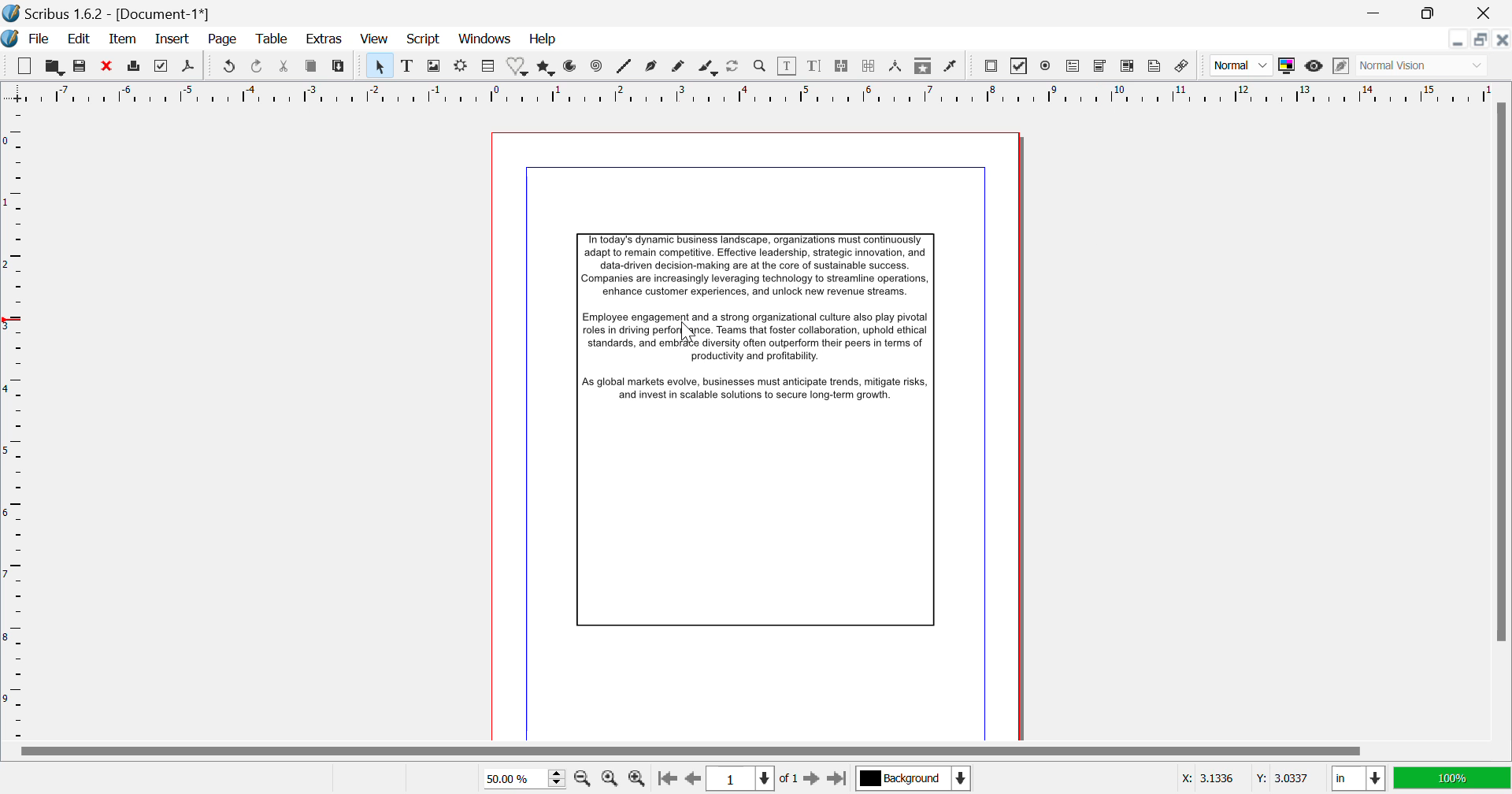  Describe the element at coordinates (1077, 65) in the screenshot. I see `Pdf Text Field` at that location.